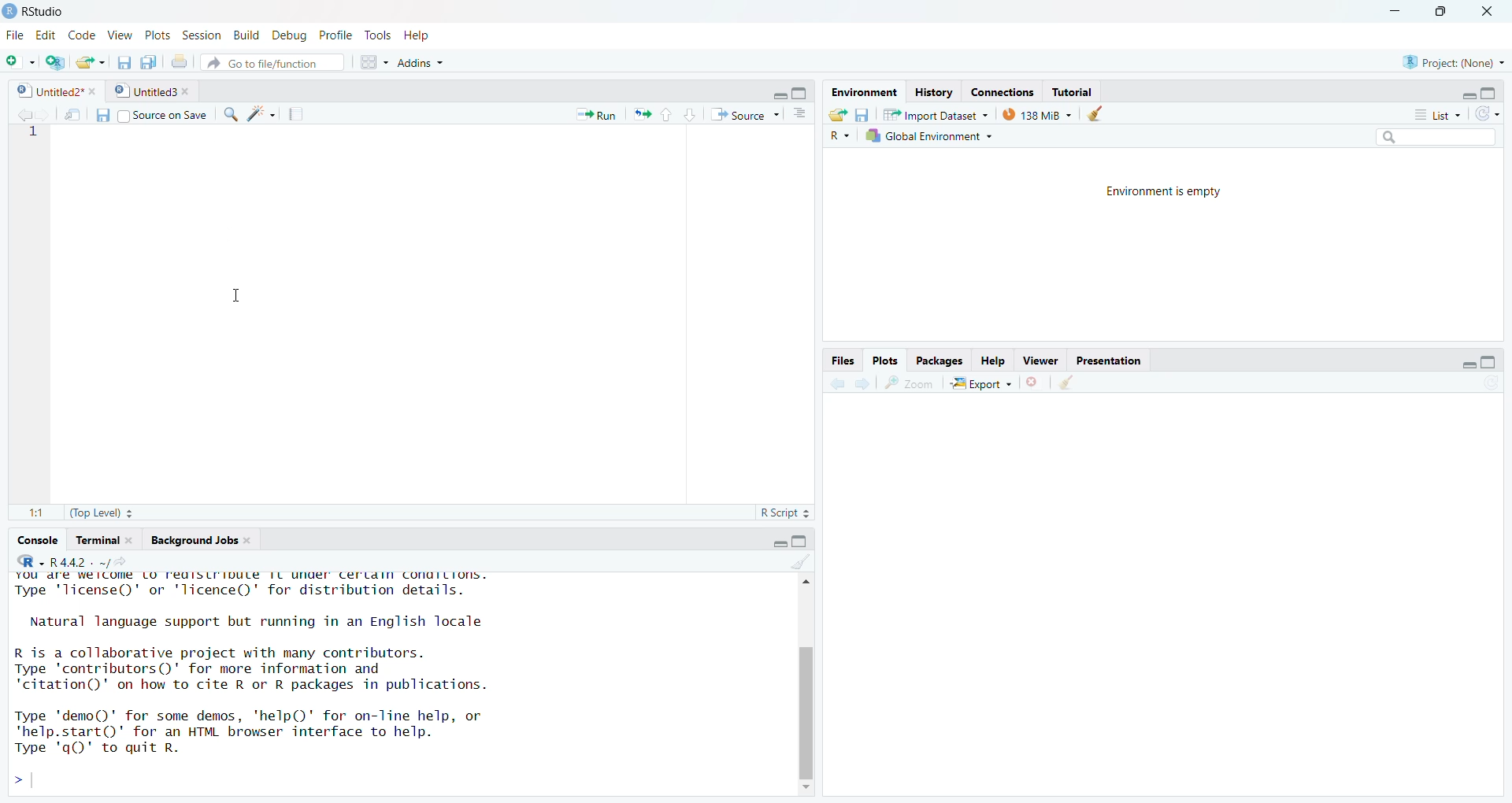 This screenshot has height=803, width=1512. Describe the element at coordinates (121, 62) in the screenshot. I see `Save current document` at that location.